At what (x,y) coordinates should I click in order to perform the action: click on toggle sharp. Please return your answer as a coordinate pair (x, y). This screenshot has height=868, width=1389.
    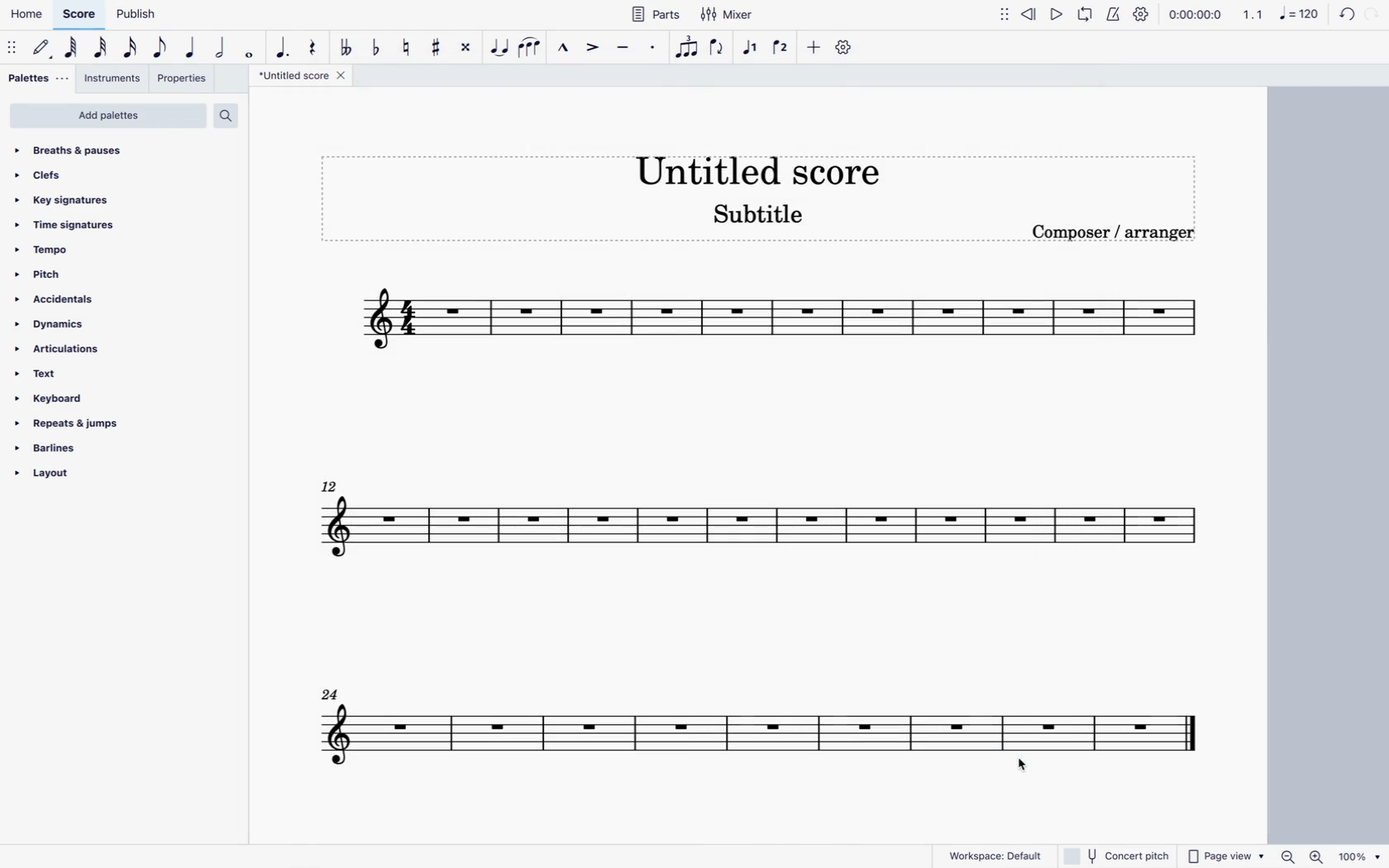
    Looking at the image, I should click on (435, 48).